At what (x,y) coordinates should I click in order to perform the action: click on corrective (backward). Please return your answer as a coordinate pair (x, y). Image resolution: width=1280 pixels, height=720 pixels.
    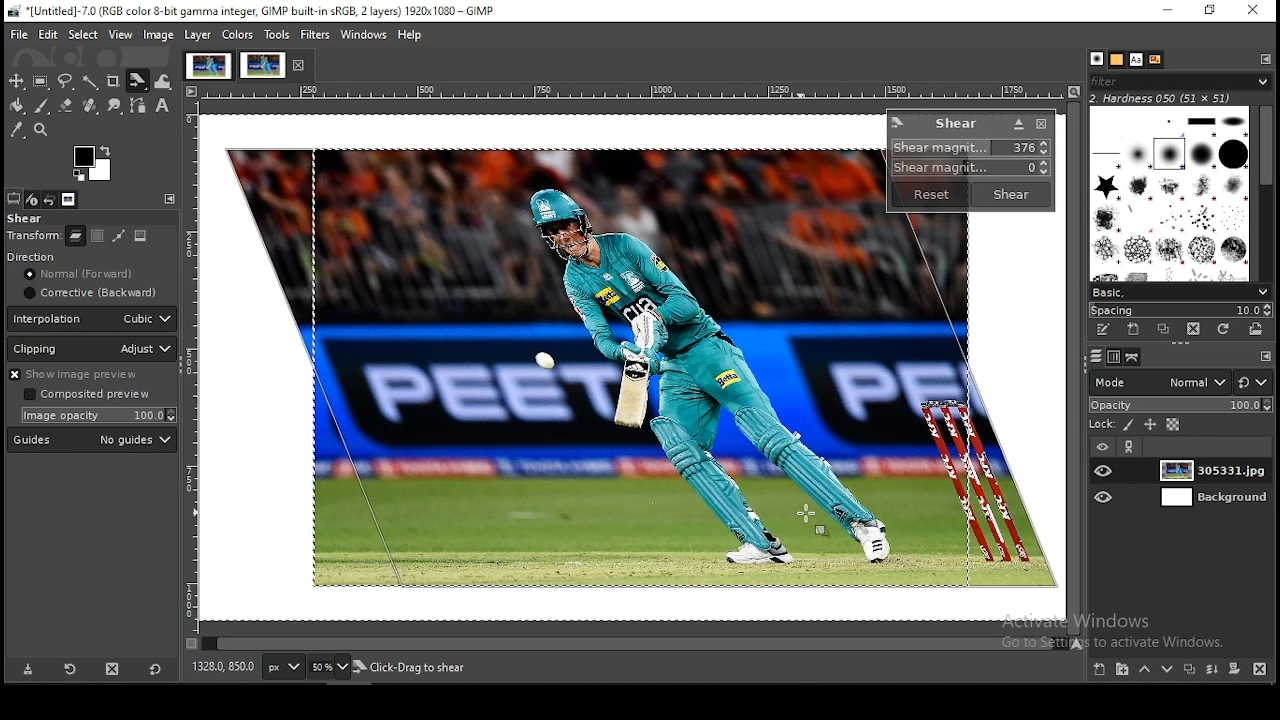
    Looking at the image, I should click on (89, 294).